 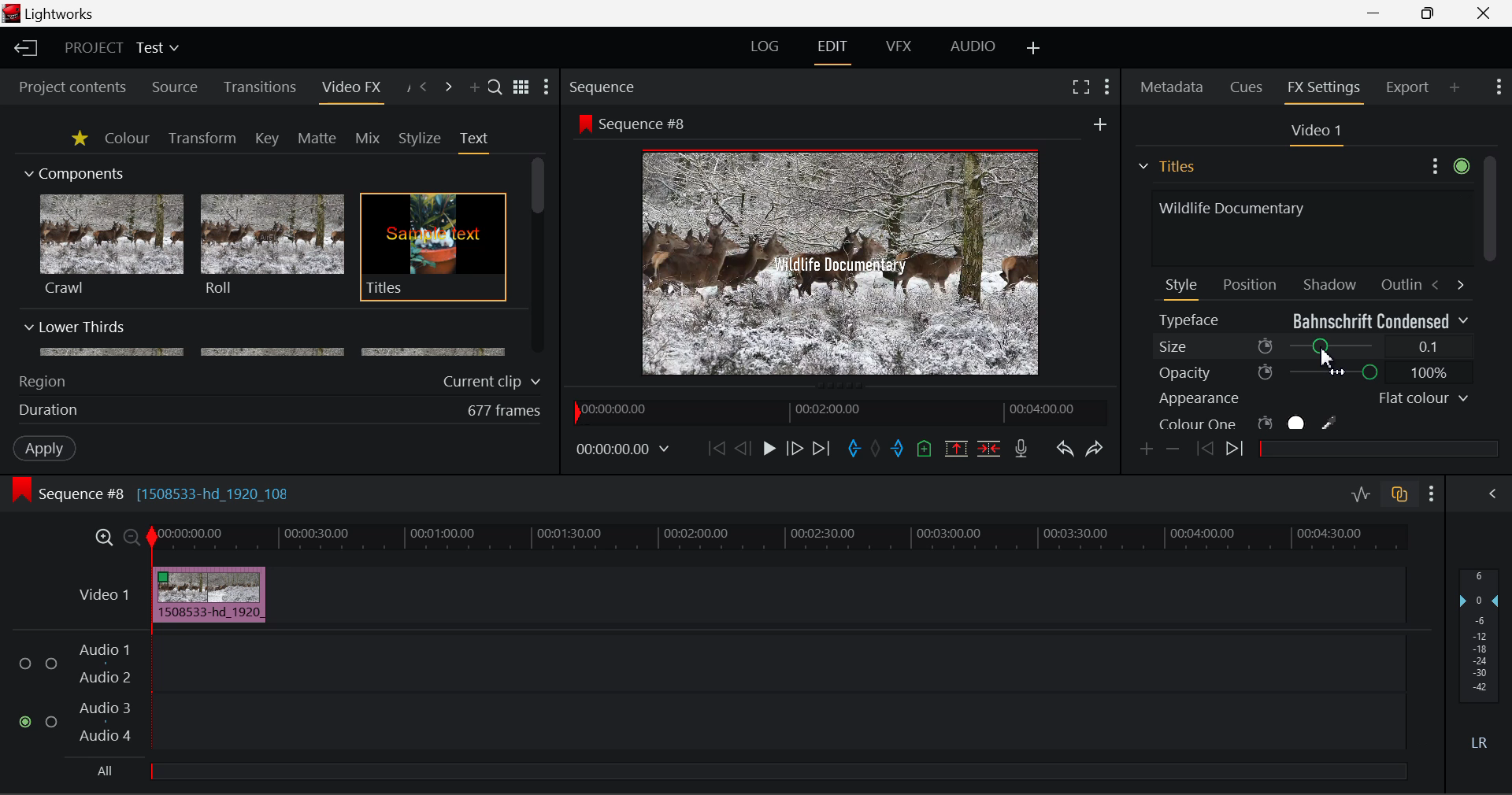 I want to click on Appearance, so click(x=1312, y=398).